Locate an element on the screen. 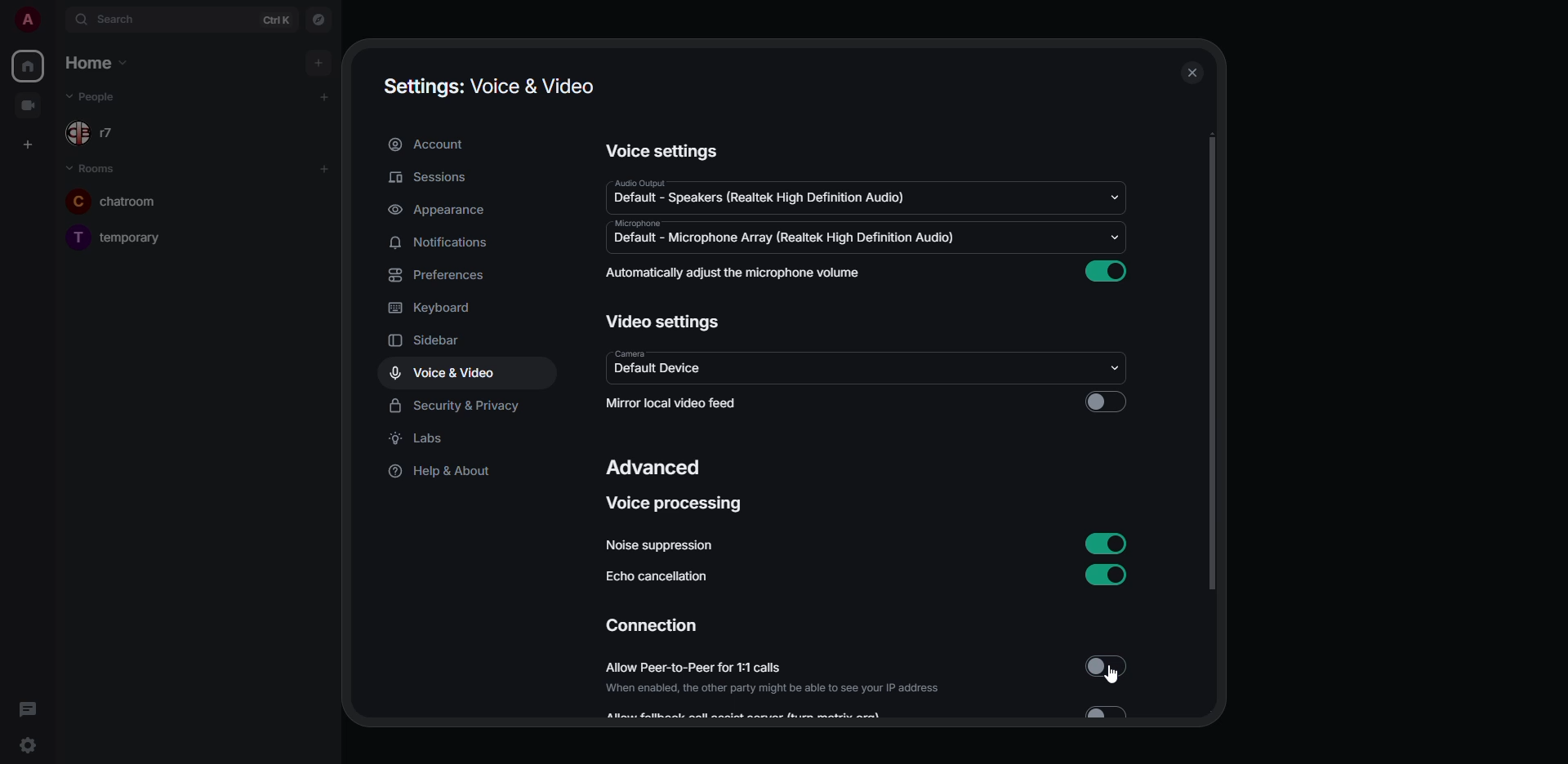  allow peer-to-peer for 1:1 calls is located at coordinates (776, 678).